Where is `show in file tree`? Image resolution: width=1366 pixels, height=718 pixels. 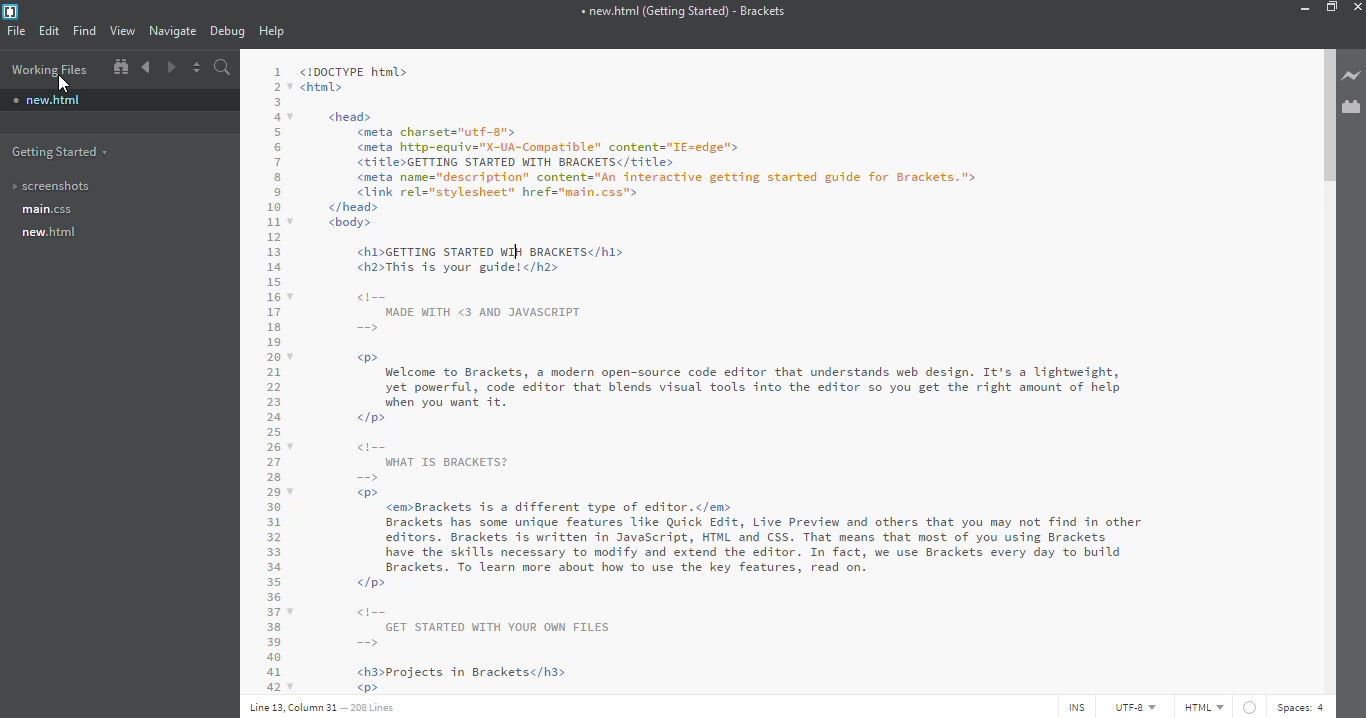 show in file tree is located at coordinates (119, 68).